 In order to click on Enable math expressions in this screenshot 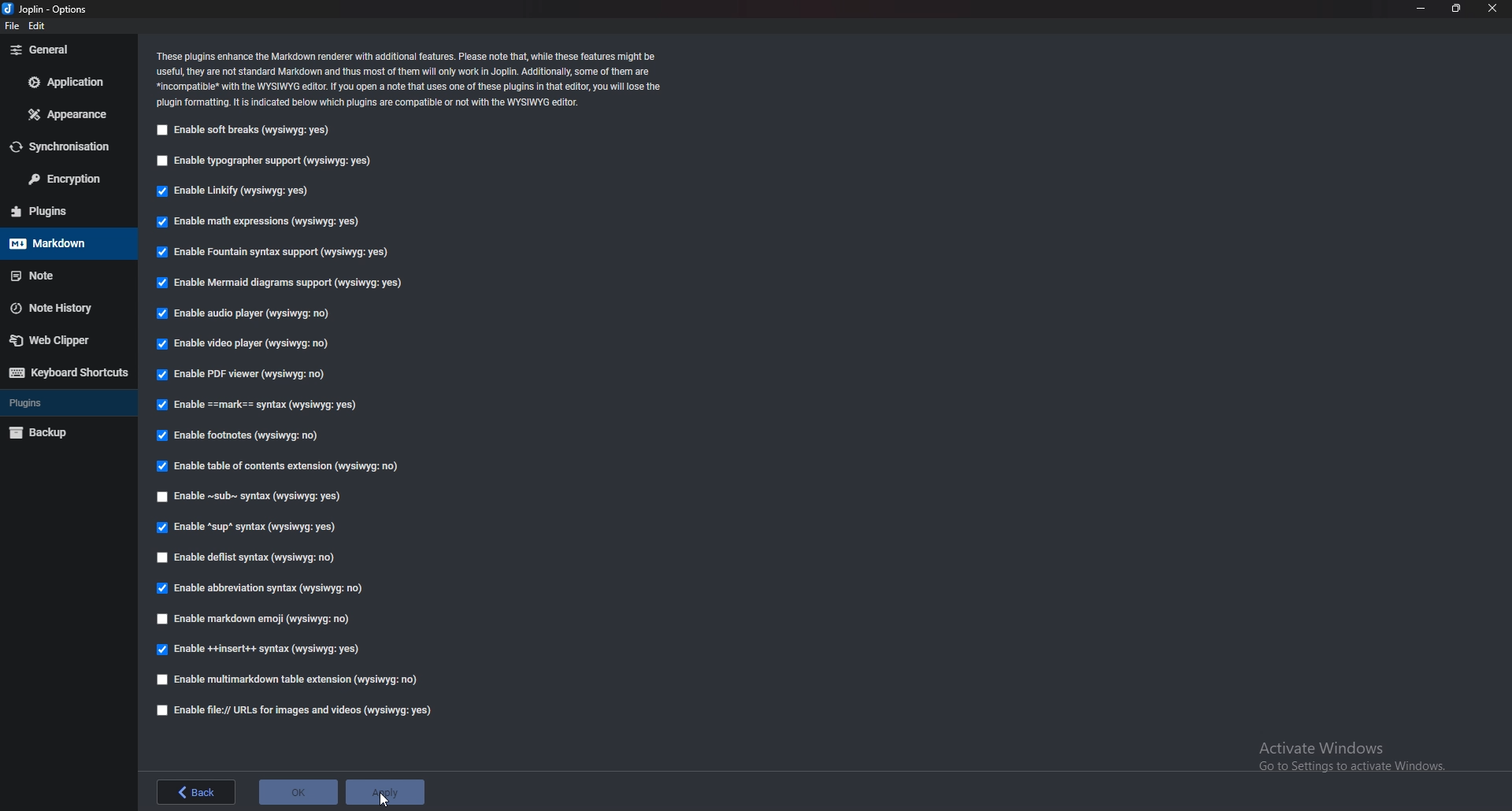, I will do `click(257, 220)`.